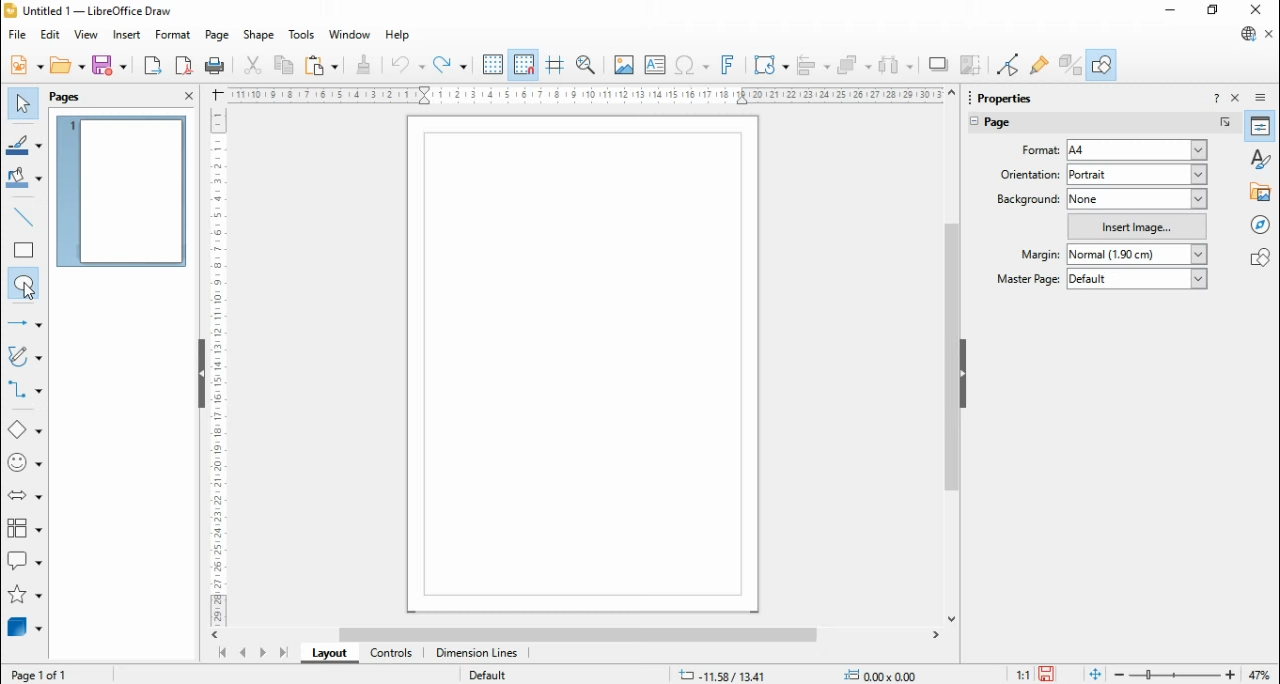 This screenshot has height=684, width=1280. What do you see at coordinates (26, 64) in the screenshot?
I see `new` at bounding box center [26, 64].